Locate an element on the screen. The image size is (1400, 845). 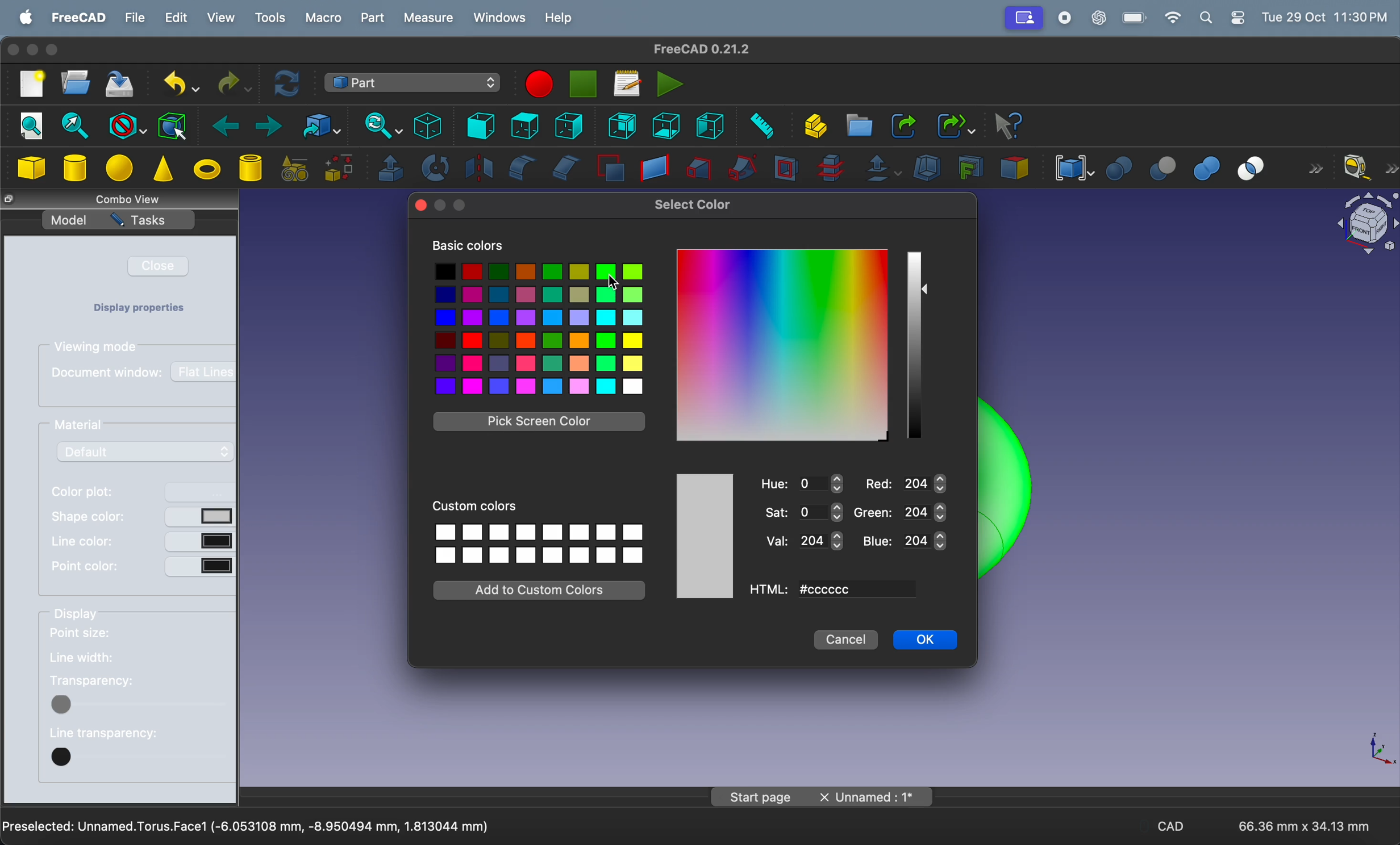
sweep is located at coordinates (742, 166).